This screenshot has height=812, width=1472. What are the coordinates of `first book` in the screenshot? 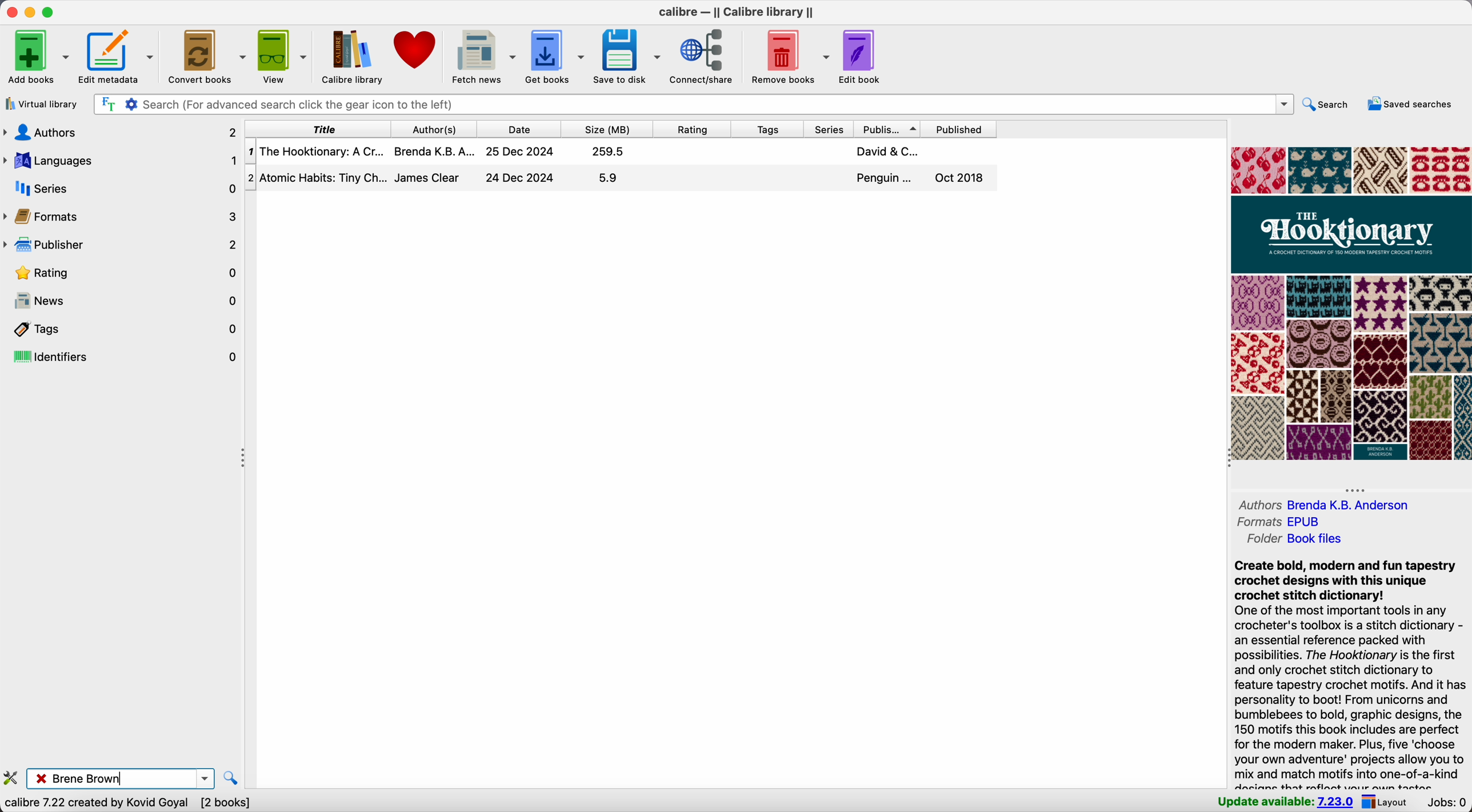 It's located at (622, 153).